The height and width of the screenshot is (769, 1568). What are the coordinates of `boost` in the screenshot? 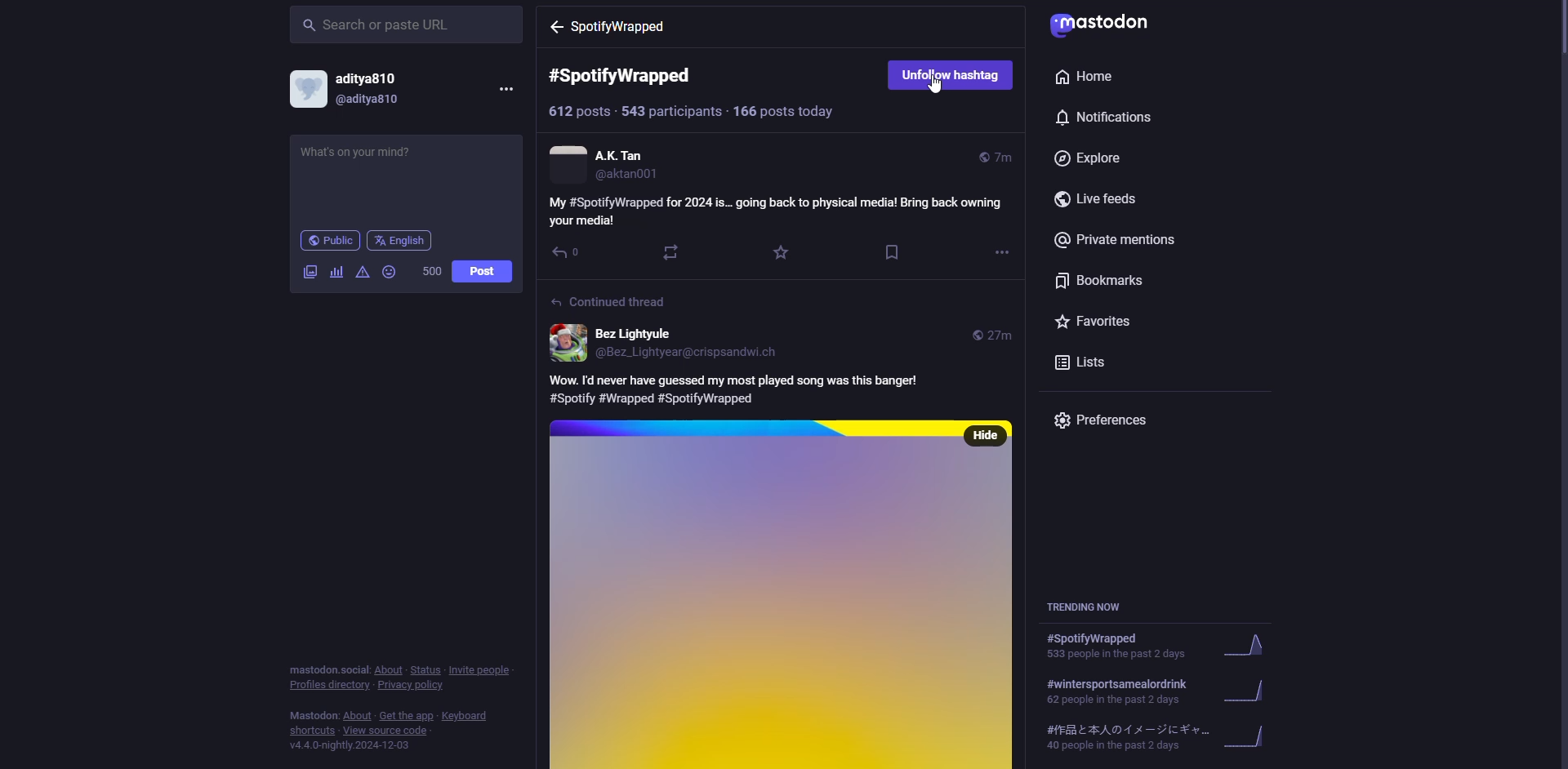 It's located at (674, 253).